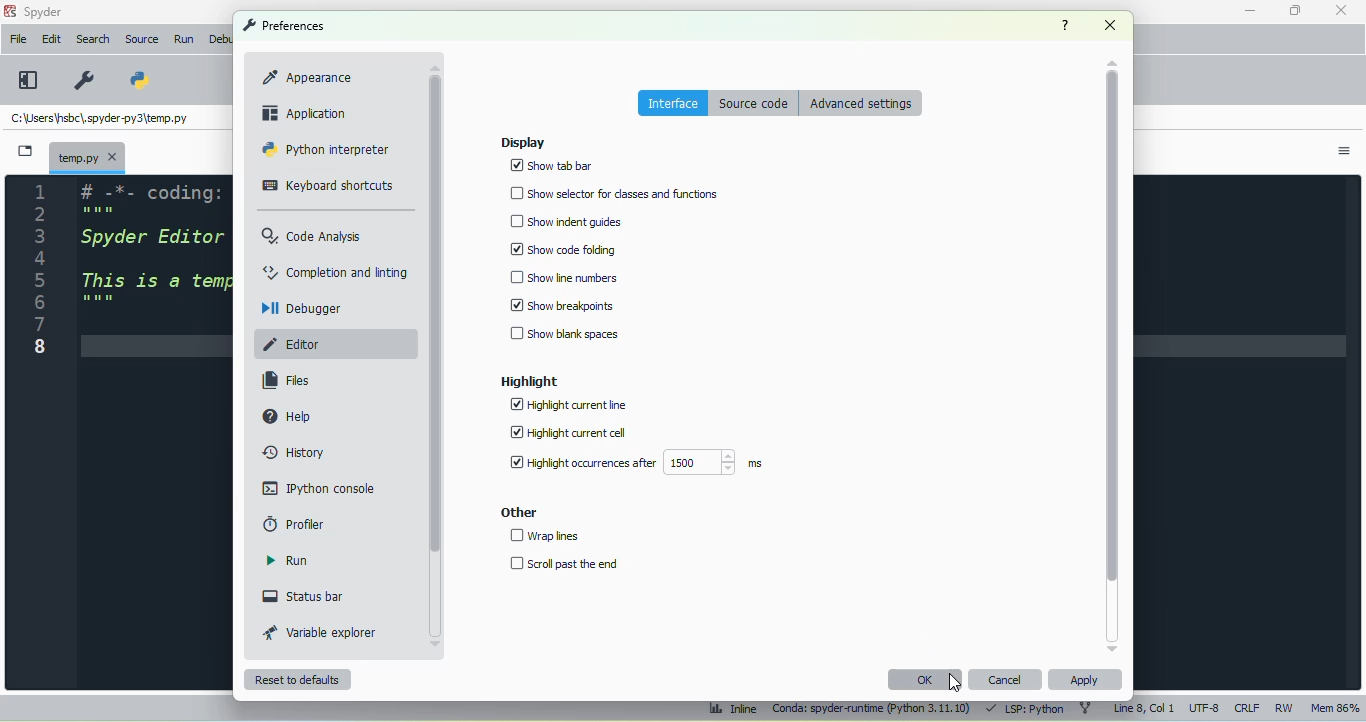 The height and width of the screenshot is (722, 1366). I want to click on minimize, so click(1249, 11).